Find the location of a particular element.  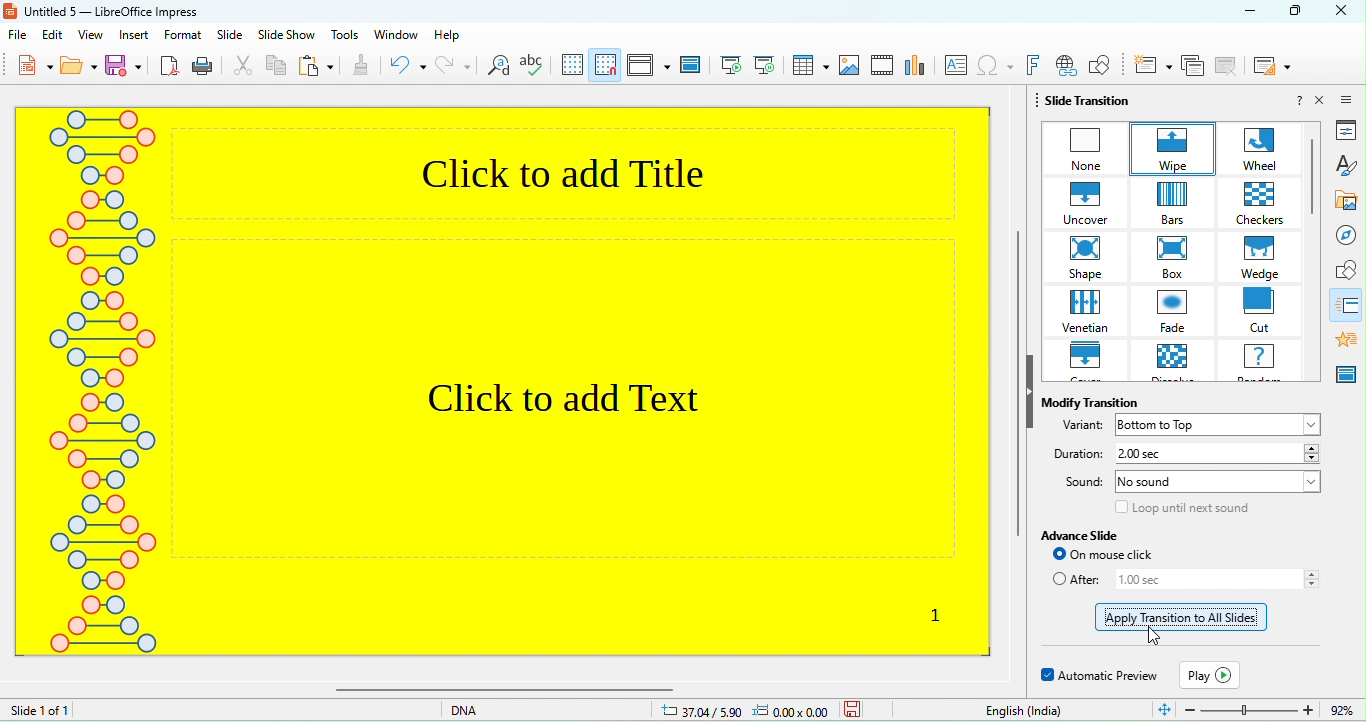

close is located at coordinates (1325, 102).